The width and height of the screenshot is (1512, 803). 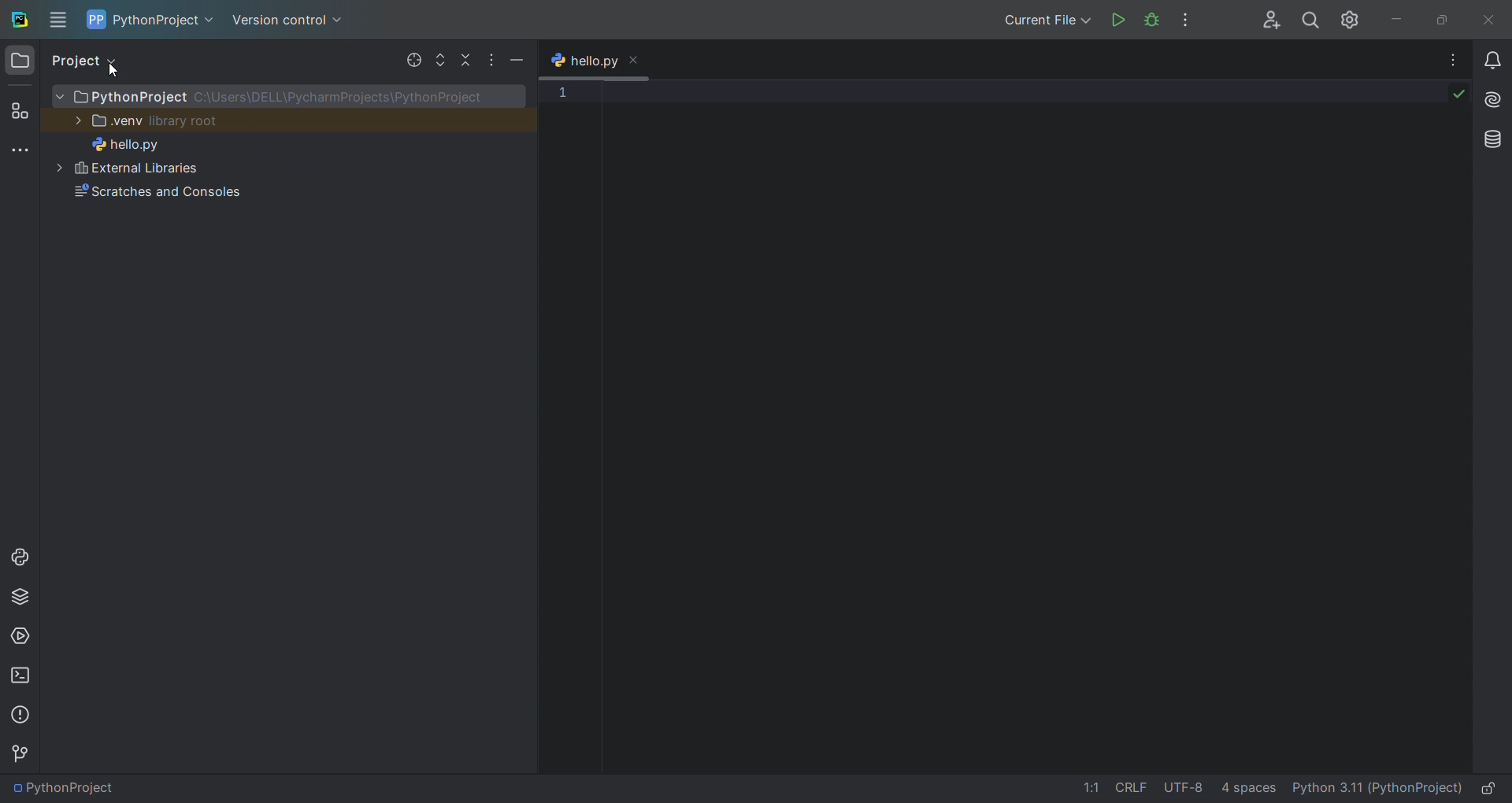 What do you see at coordinates (152, 20) in the screenshot?
I see `project name` at bounding box center [152, 20].